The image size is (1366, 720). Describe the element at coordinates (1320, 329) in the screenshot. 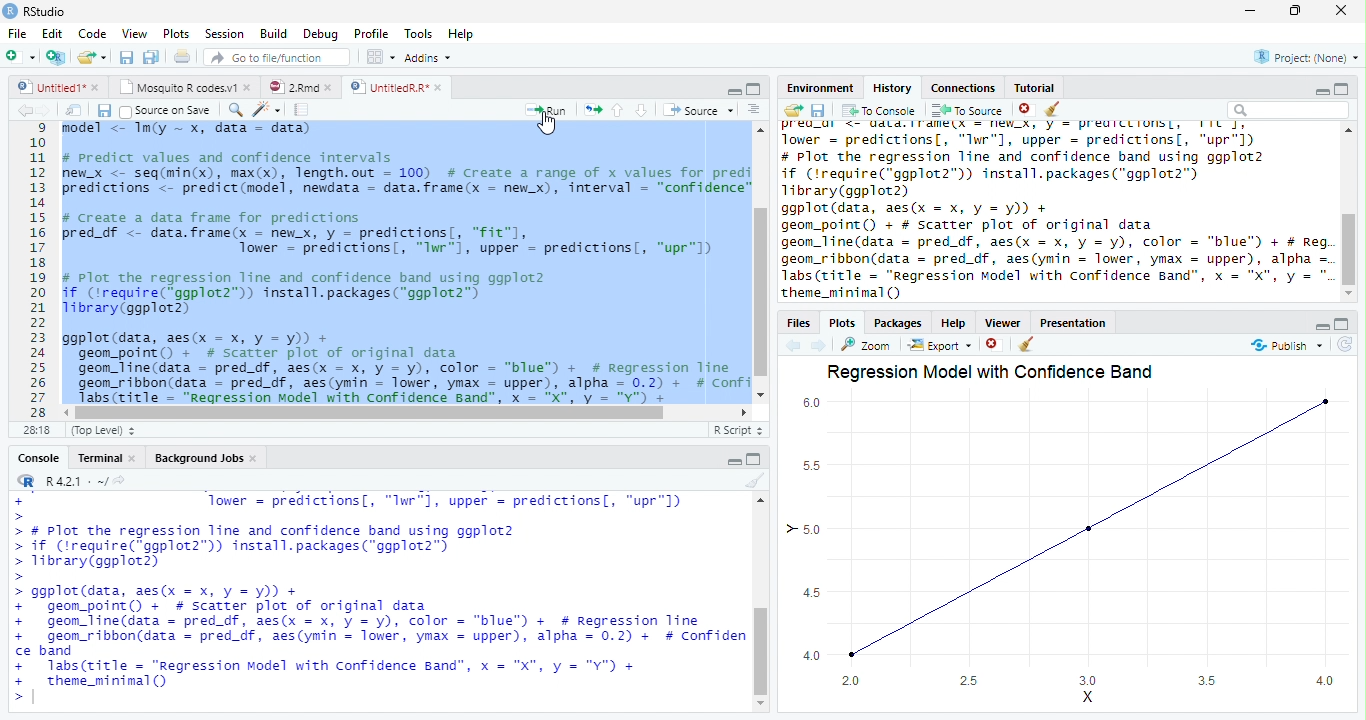

I see `minimize` at that location.